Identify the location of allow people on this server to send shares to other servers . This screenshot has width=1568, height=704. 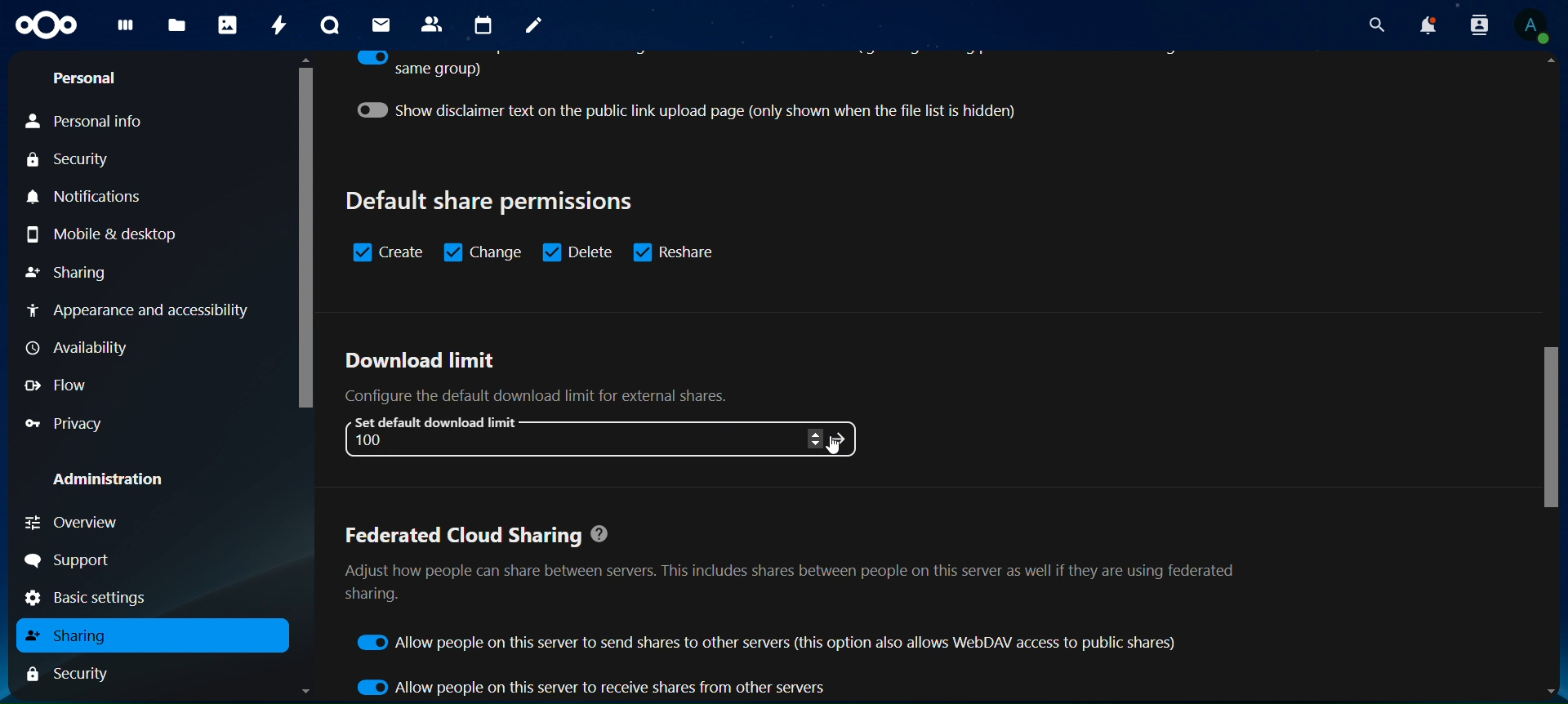
(771, 643).